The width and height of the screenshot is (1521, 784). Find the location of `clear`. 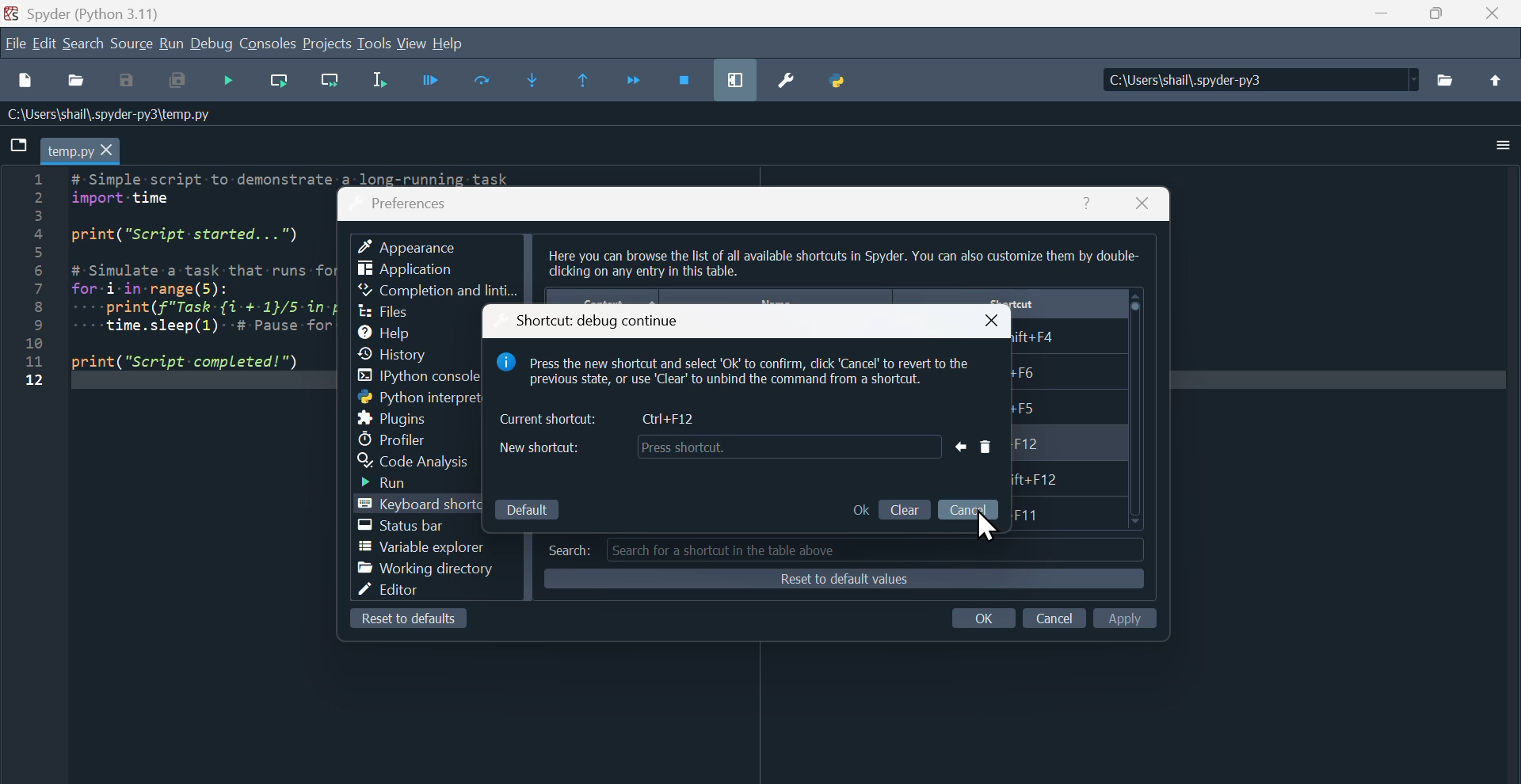

clear is located at coordinates (907, 507).